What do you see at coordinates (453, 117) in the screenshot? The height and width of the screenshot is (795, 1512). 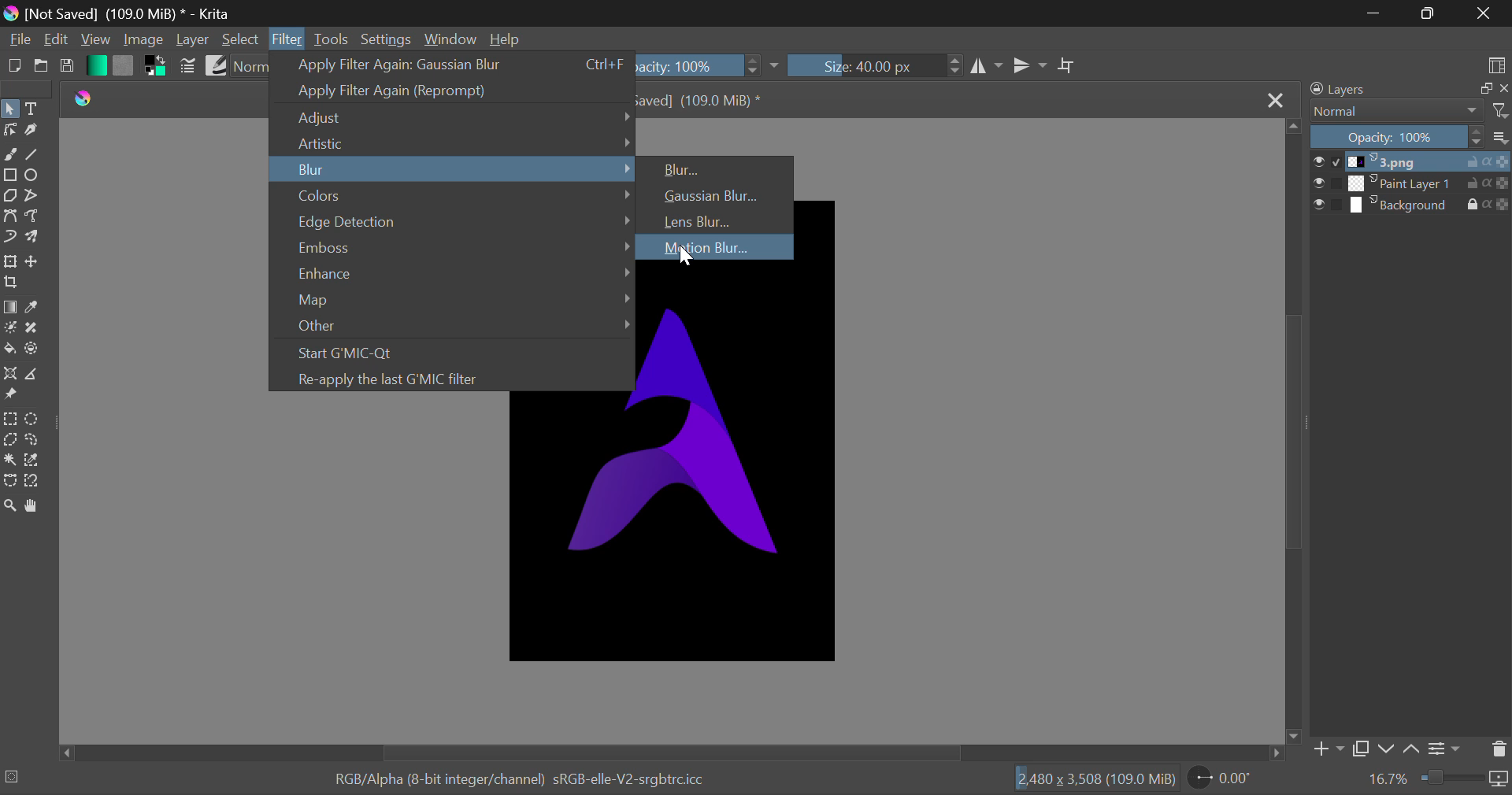 I see `Adjust` at bounding box center [453, 117].